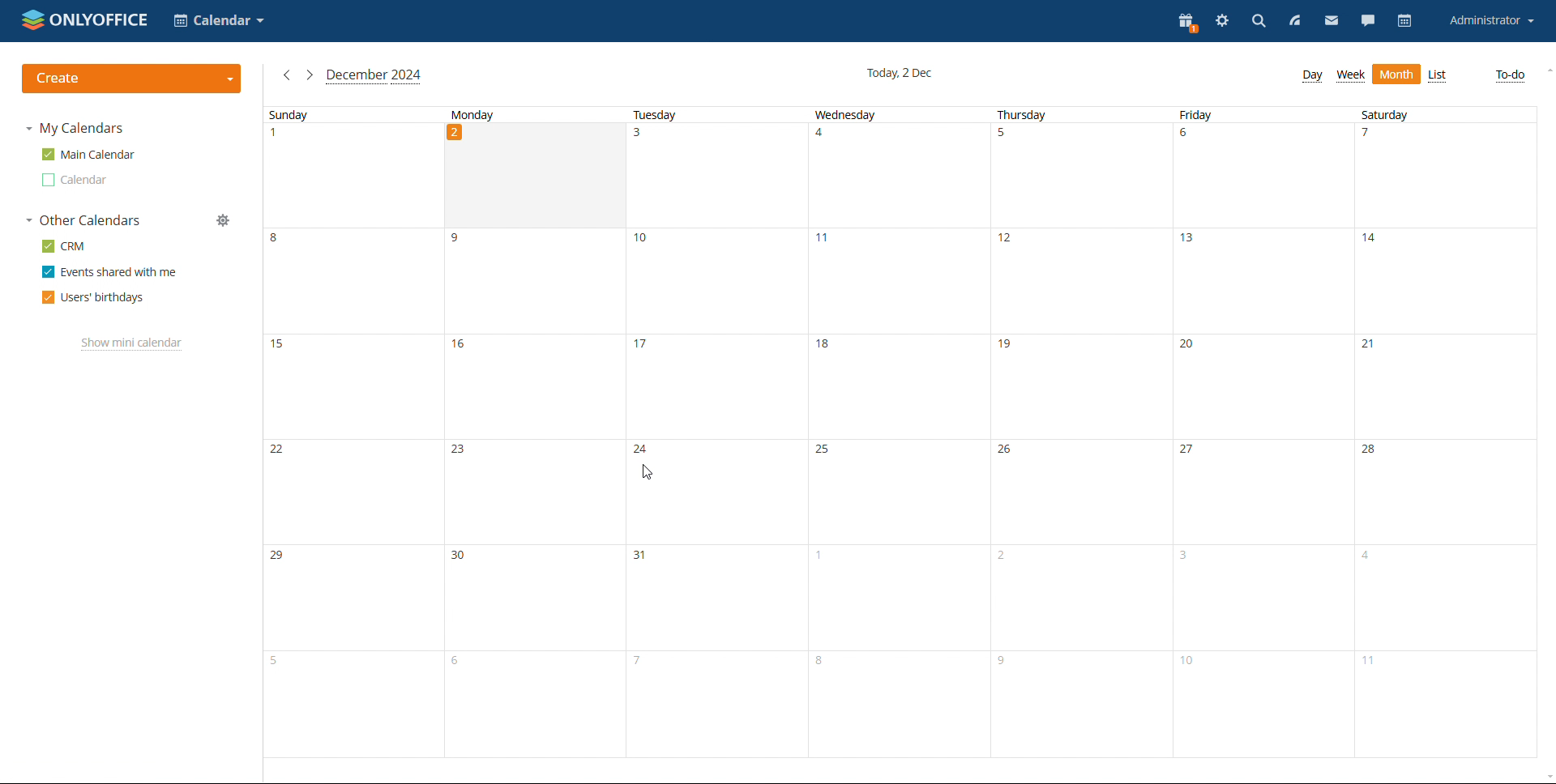  I want to click on Administrator, so click(1491, 21).